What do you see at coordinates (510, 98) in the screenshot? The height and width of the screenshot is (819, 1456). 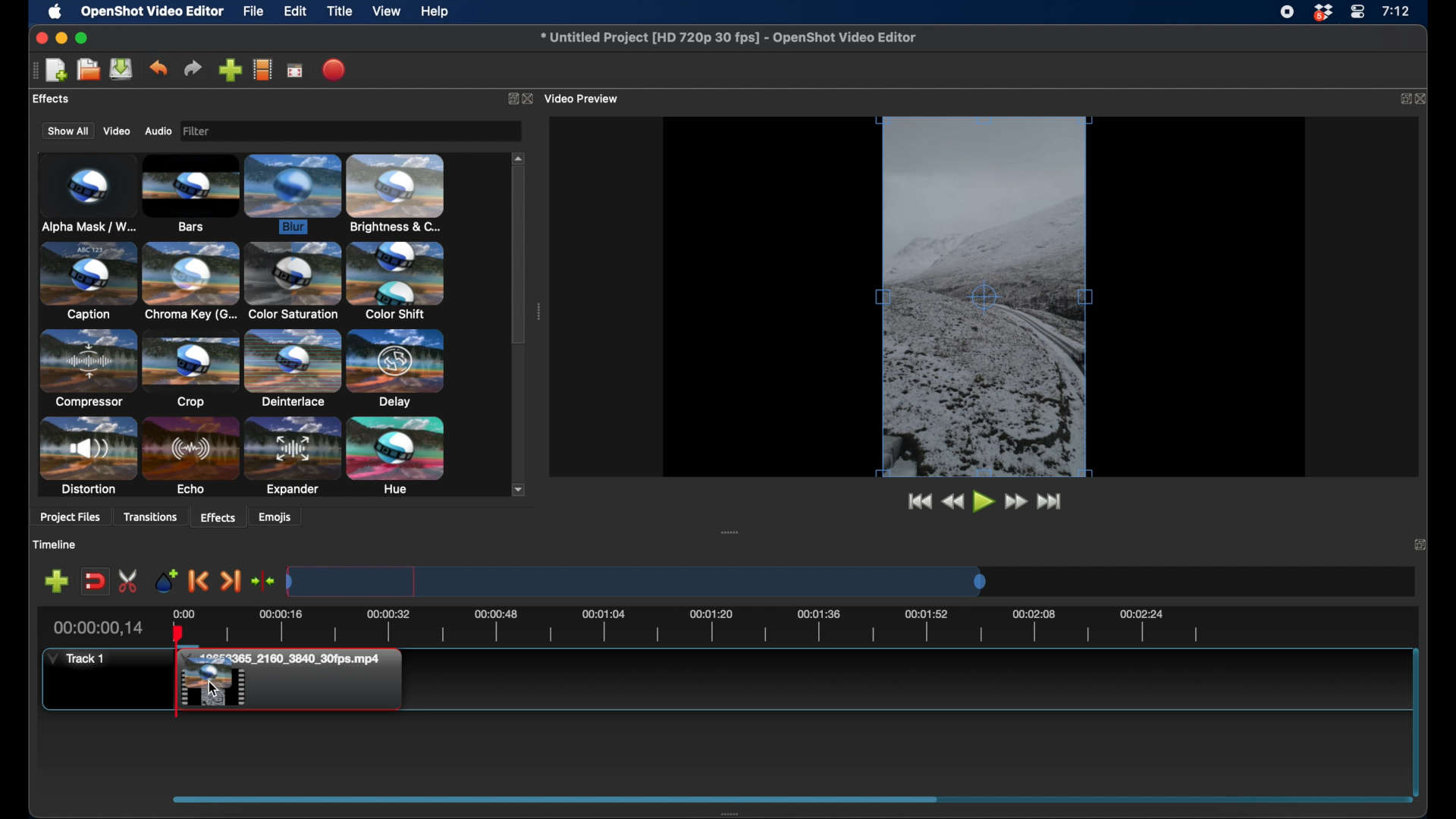 I see `expand` at bounding box center [510, 98].